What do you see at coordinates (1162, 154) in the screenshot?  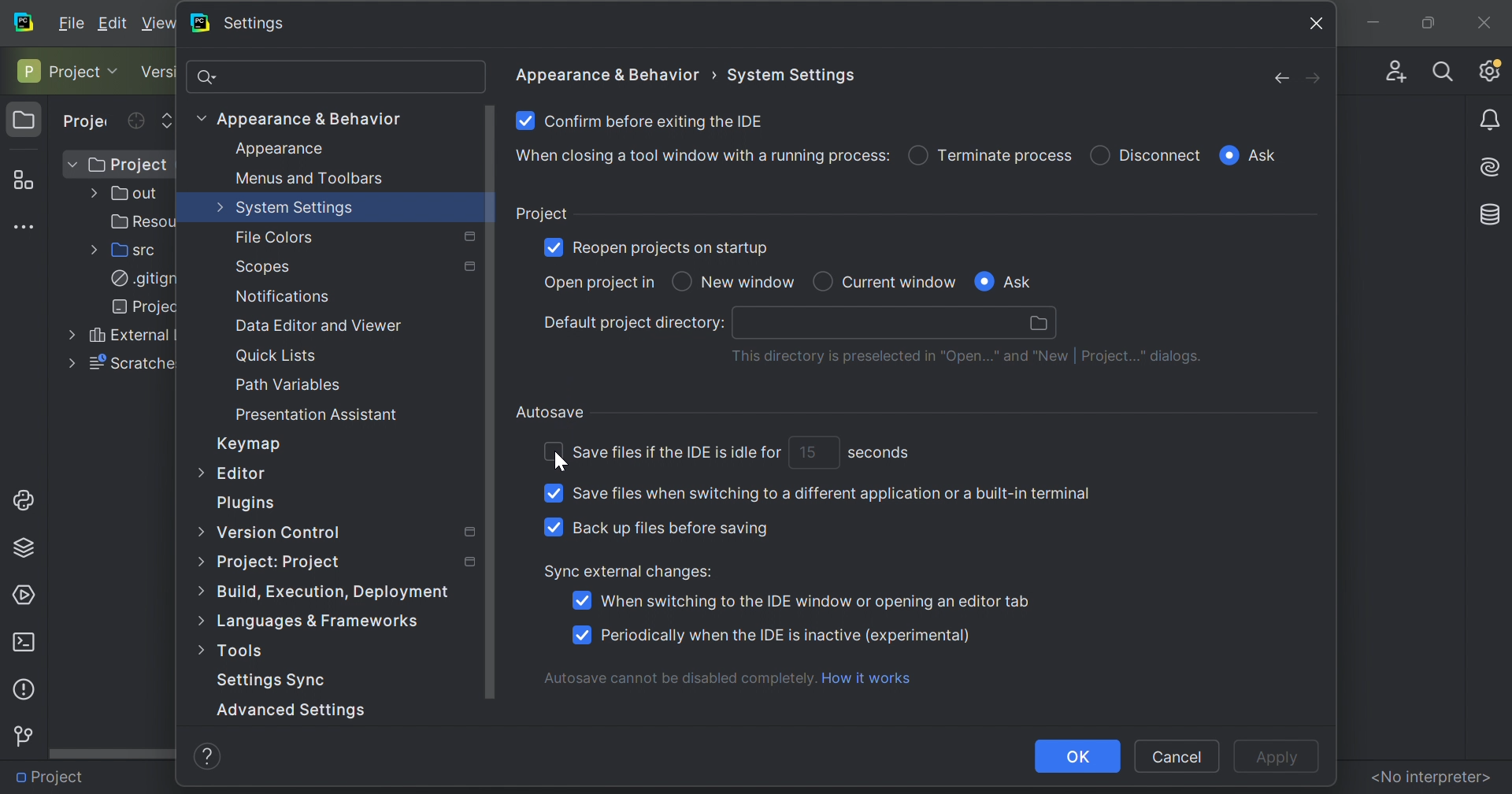 I see `Disconnect` at bounding box center [1162, 154].